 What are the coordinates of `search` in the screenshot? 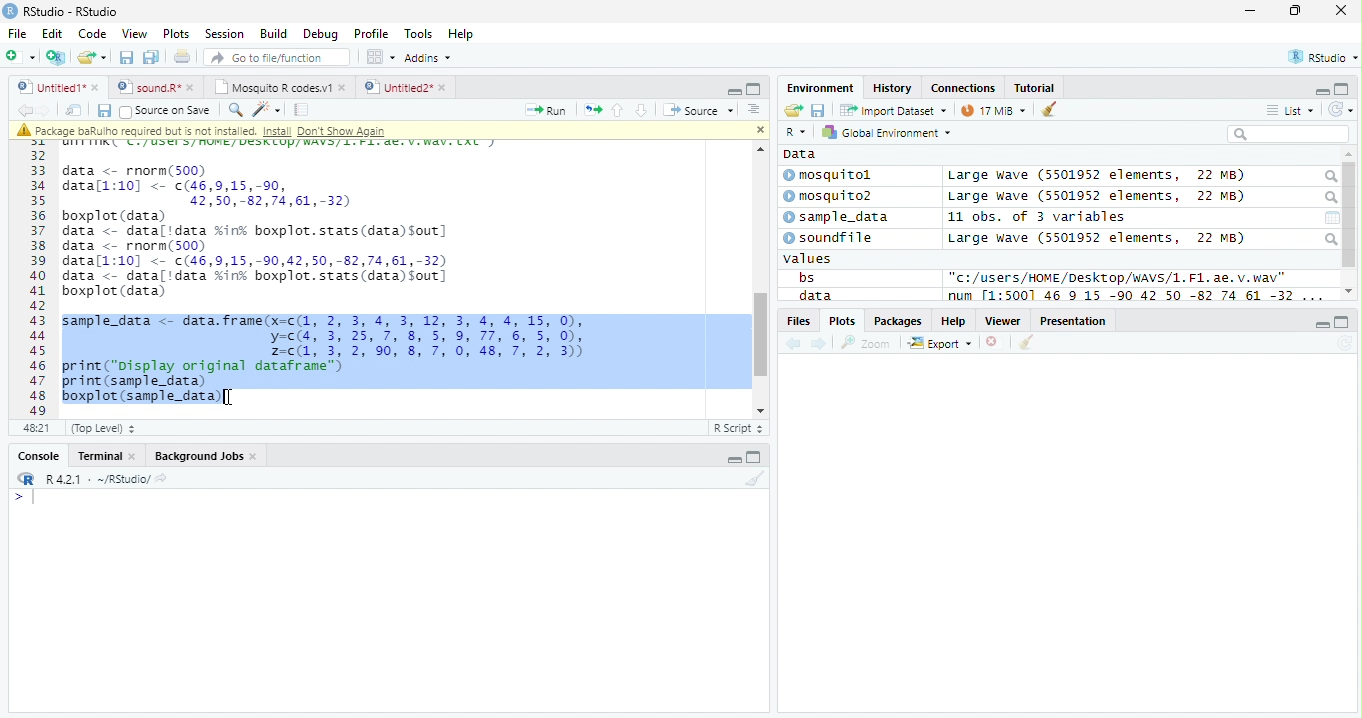 It's located at (1329, 177).